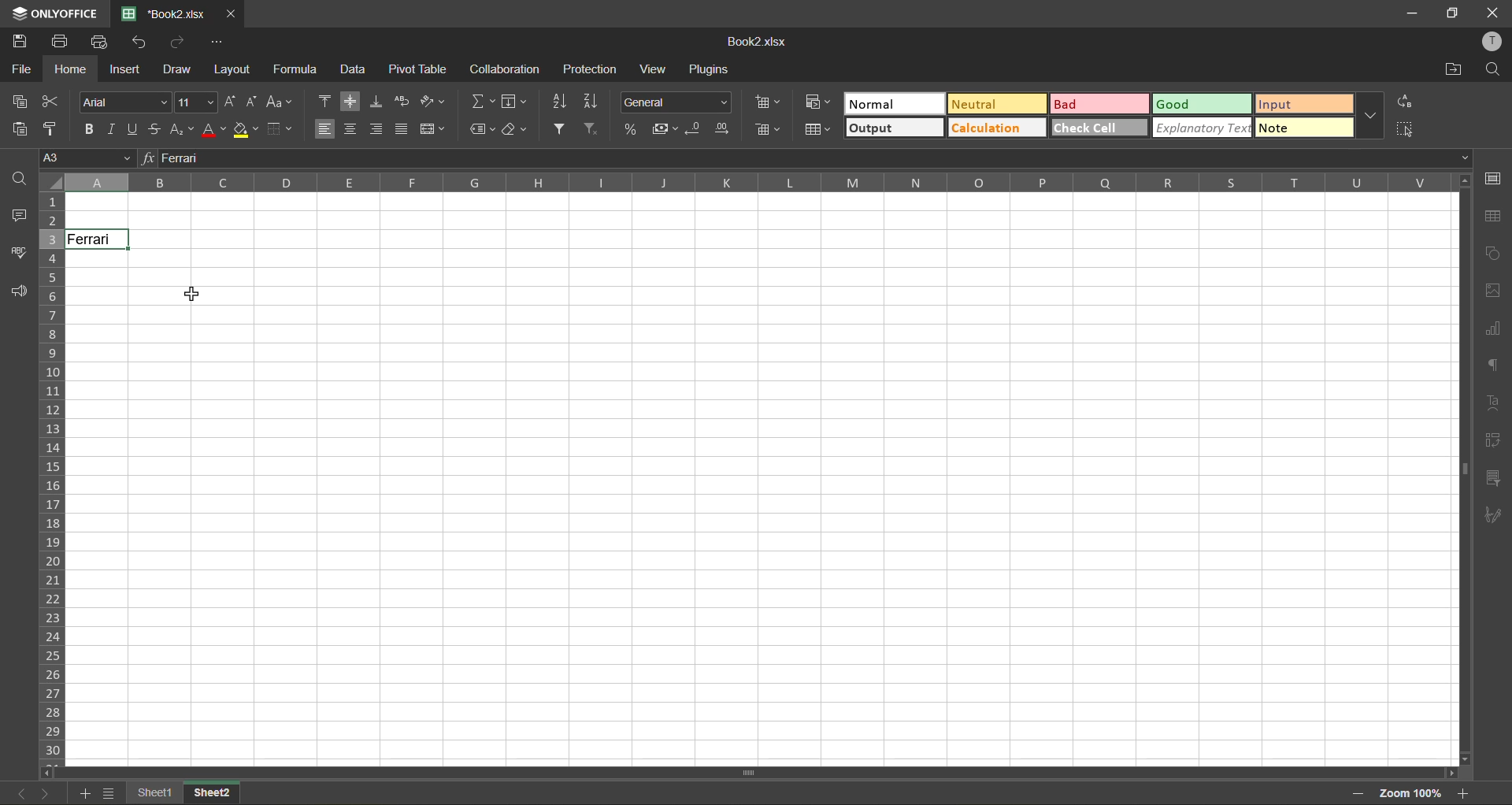 This screenshot has width=1512, height=805. I want to click on align right, so click(377, 130).